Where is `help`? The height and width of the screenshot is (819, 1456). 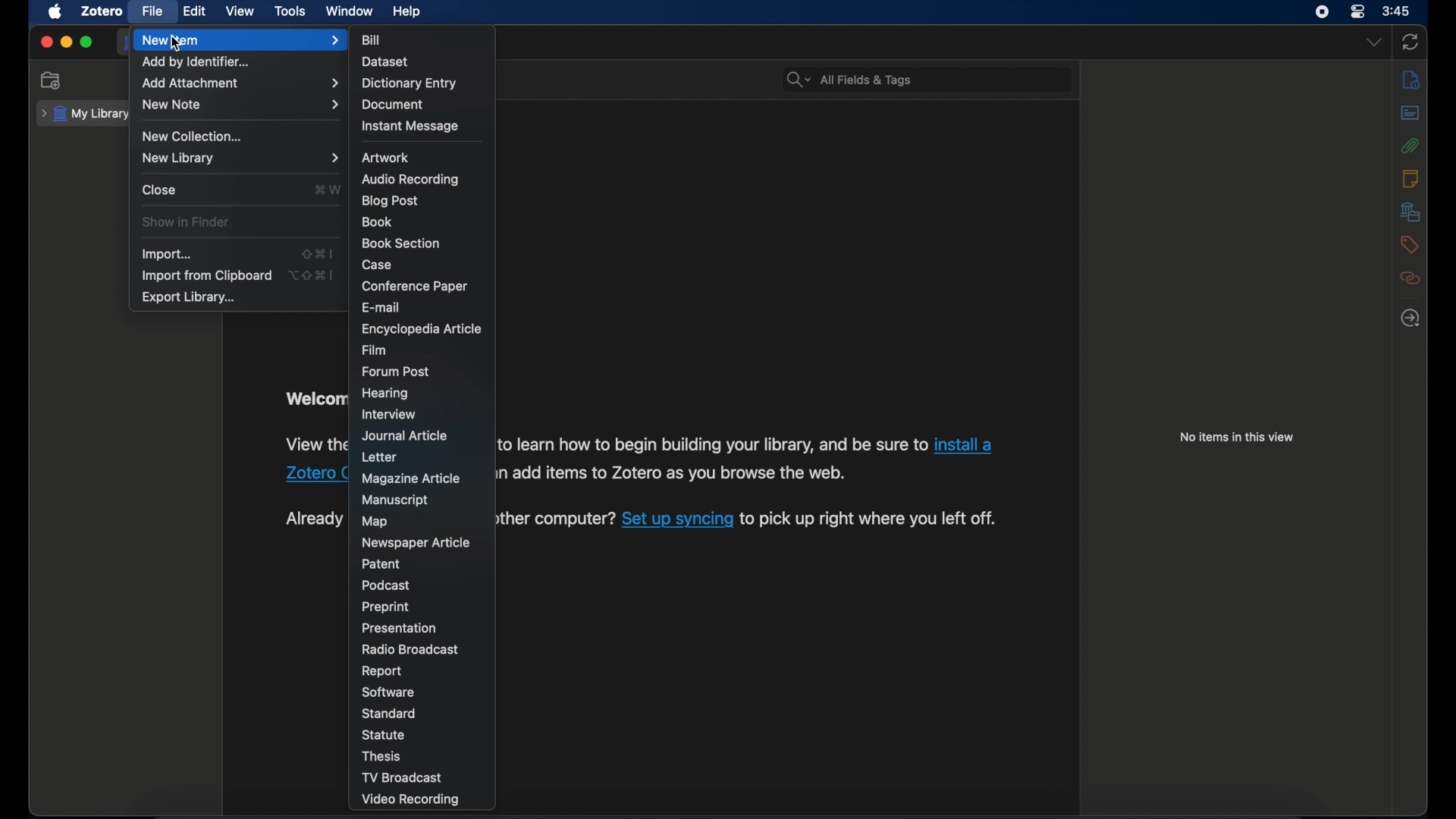 help is located at coordinates (406, 12).